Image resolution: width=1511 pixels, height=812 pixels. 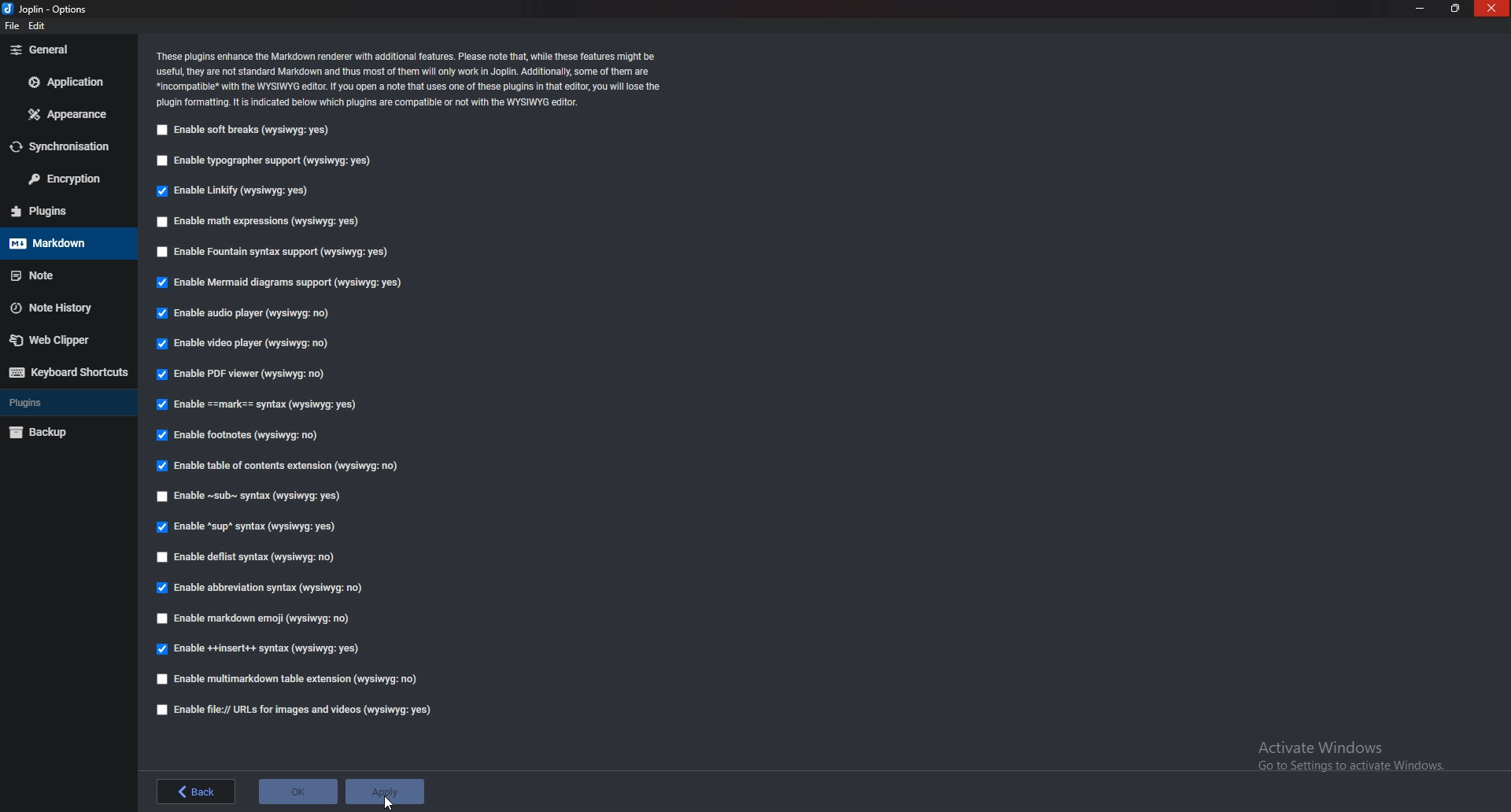 What do you see at coordinates (65, 403) in the screenshot?
I see `Plugins` at bounding box center [65, 403].